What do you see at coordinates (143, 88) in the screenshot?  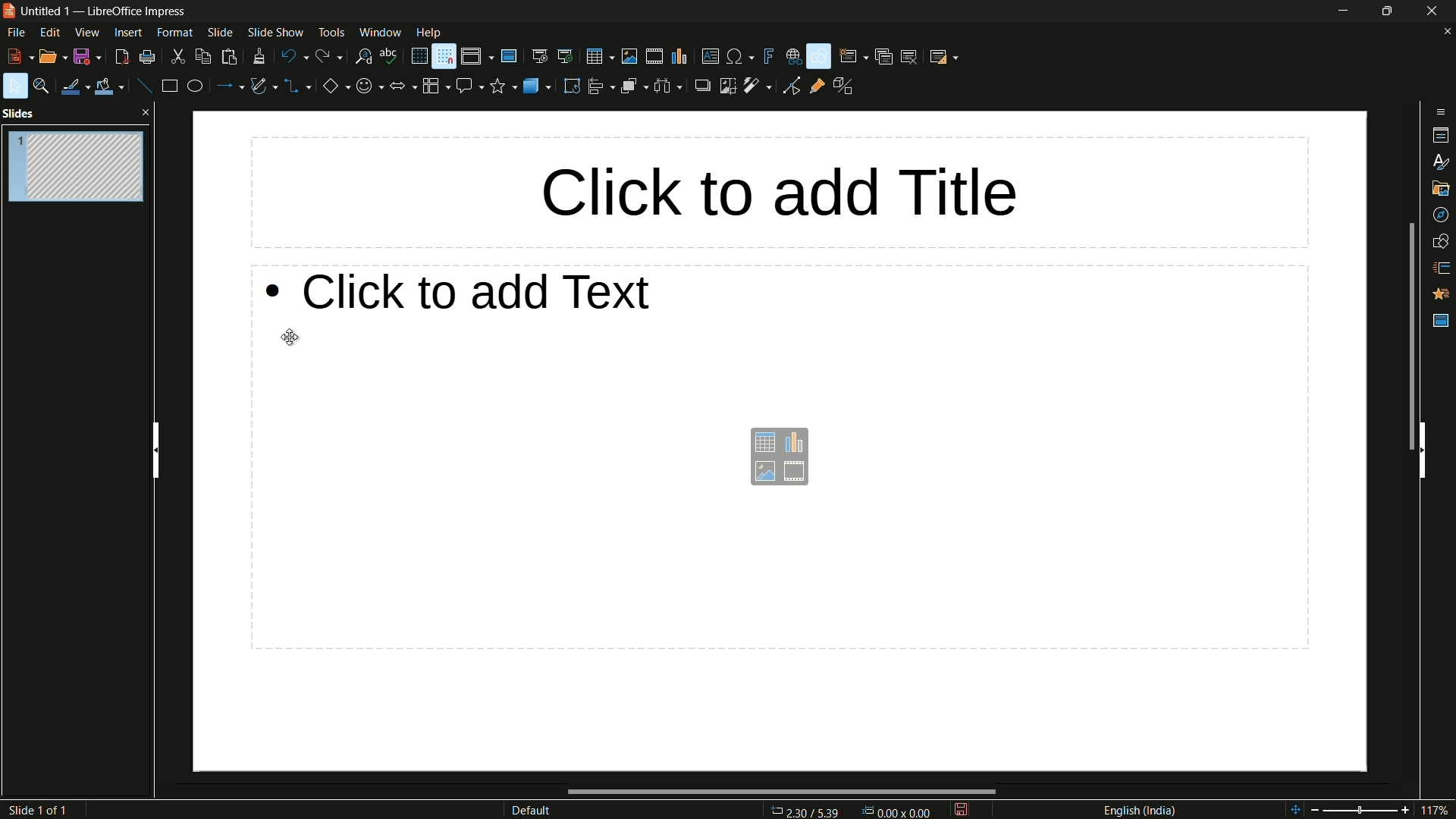 I see `insert line` at bounding box center [143, 88].